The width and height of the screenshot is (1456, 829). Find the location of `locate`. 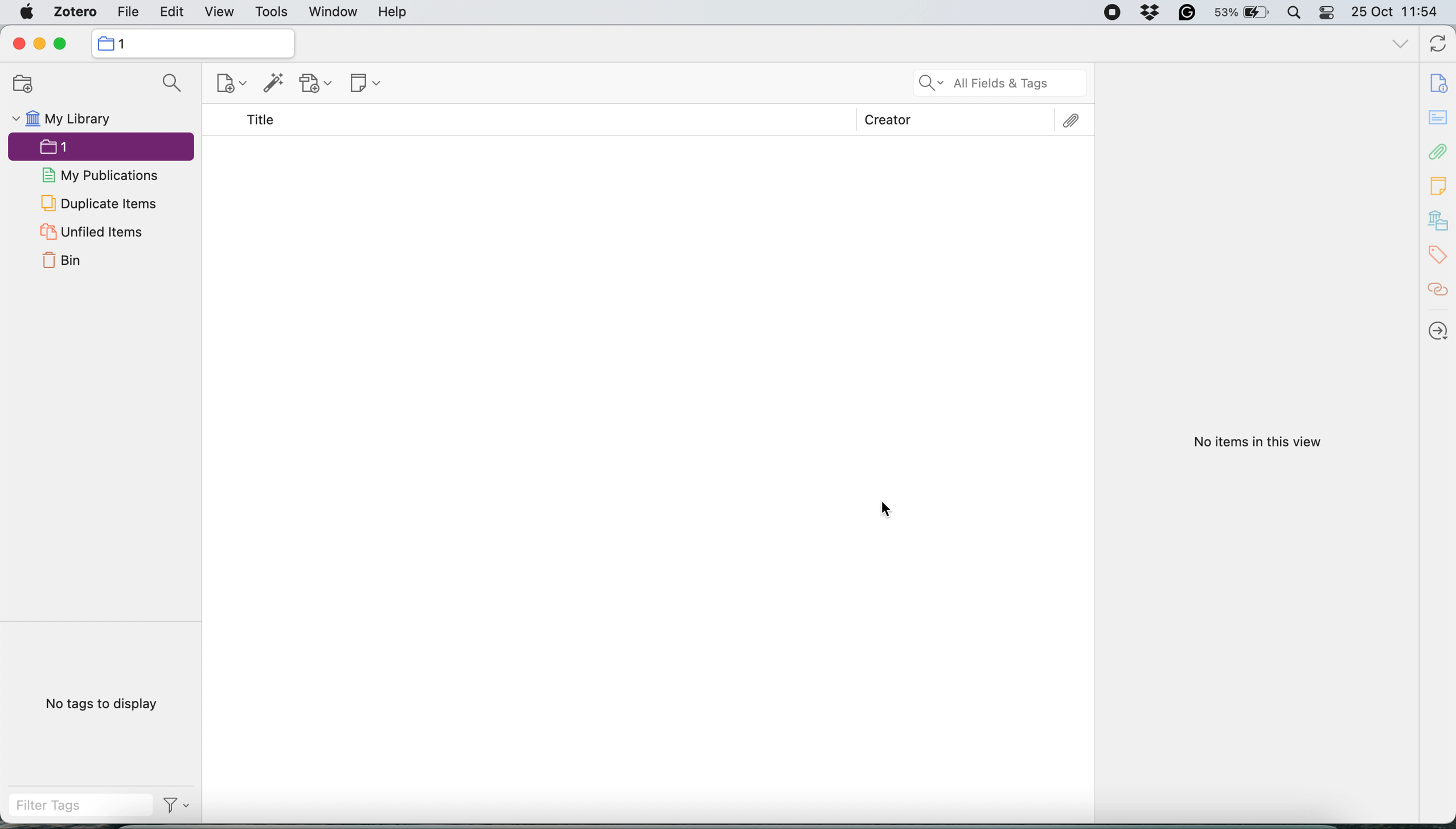

locate is located at coordinates (1439, 327).